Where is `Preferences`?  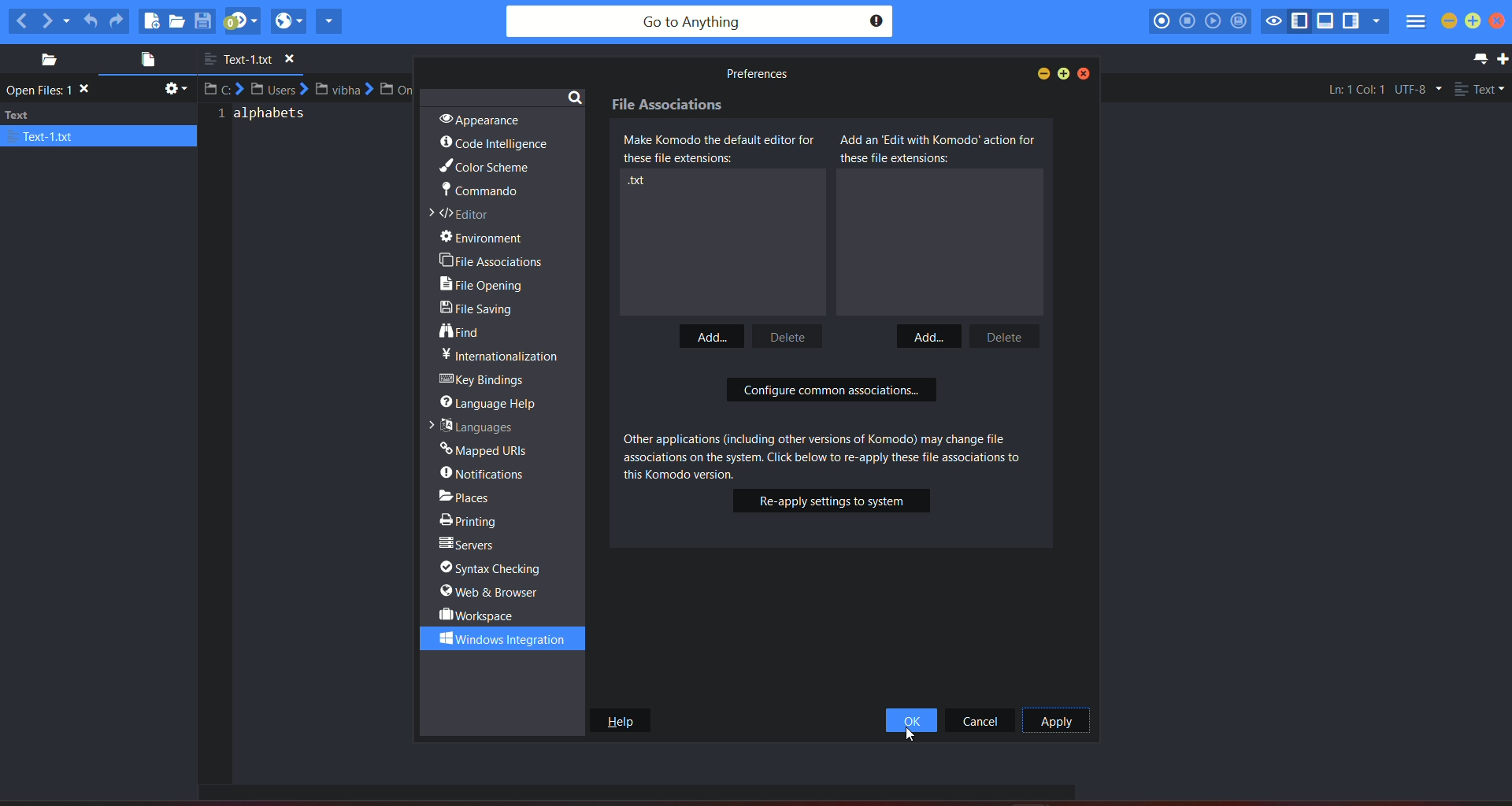
Preferences is located at coordinates (754, 74).